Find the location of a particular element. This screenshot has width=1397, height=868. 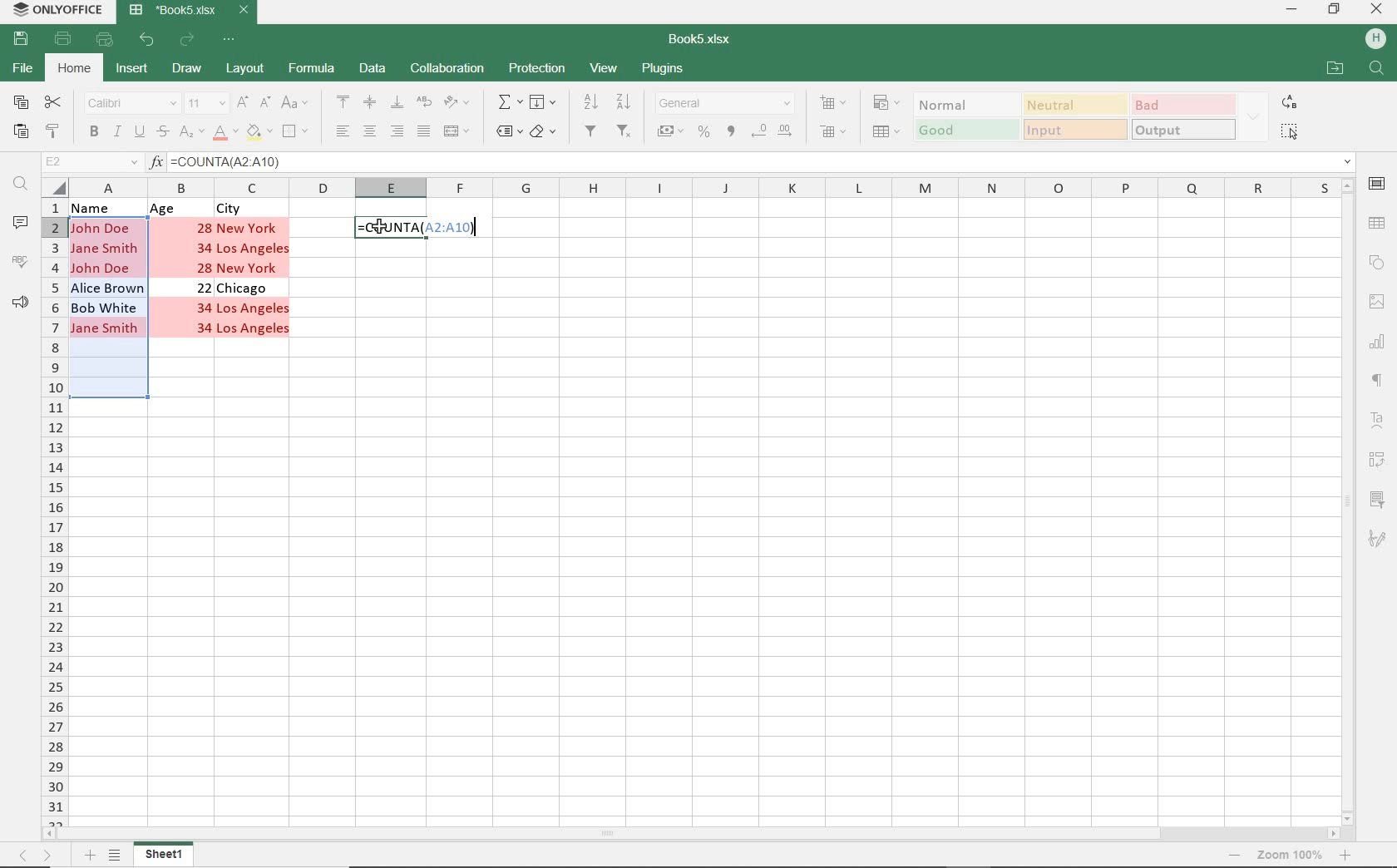

ROWS is located at coordinates (54, 513).